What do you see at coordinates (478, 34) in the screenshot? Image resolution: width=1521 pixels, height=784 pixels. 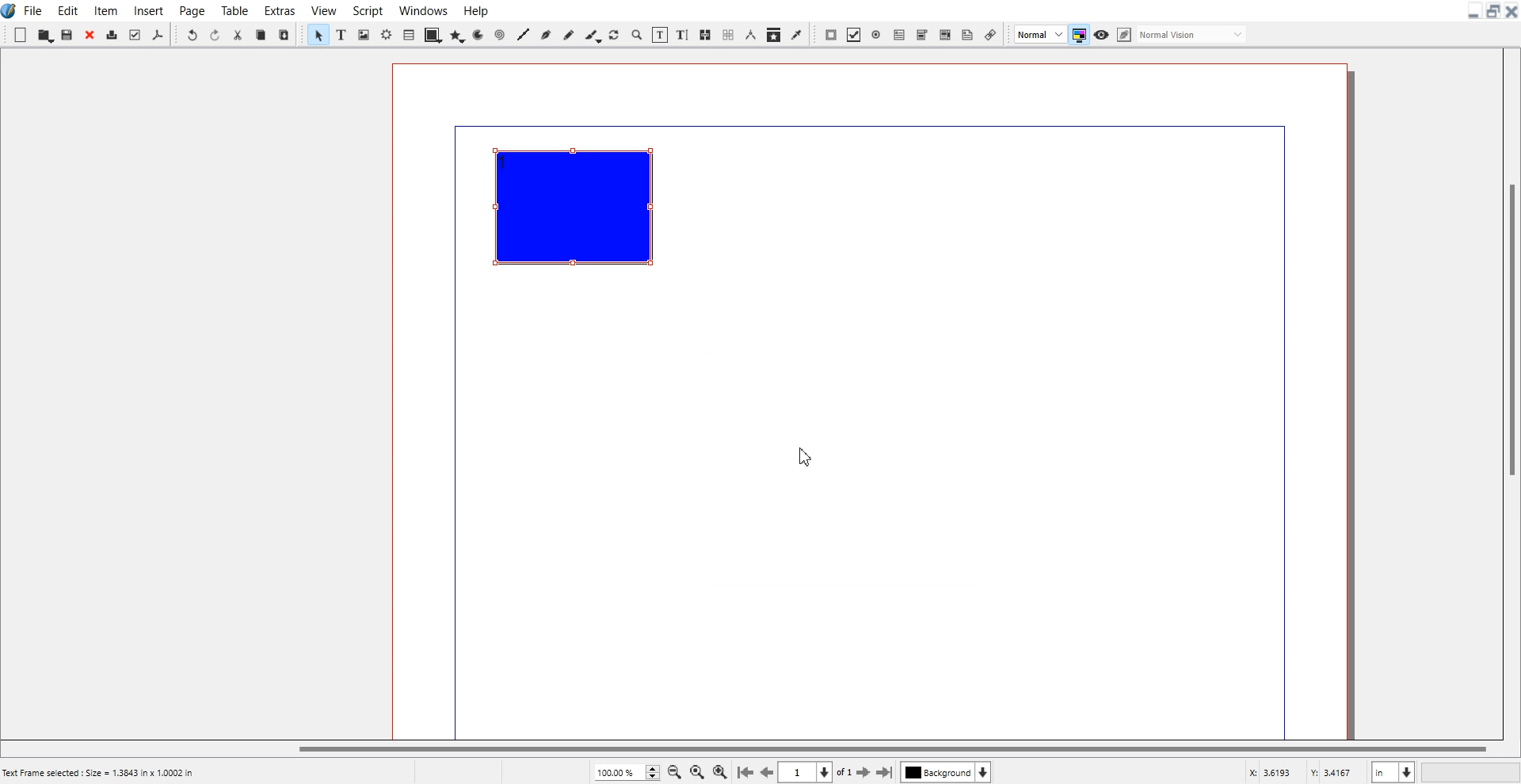 I see `Arc` at bounding box center [478, 34].